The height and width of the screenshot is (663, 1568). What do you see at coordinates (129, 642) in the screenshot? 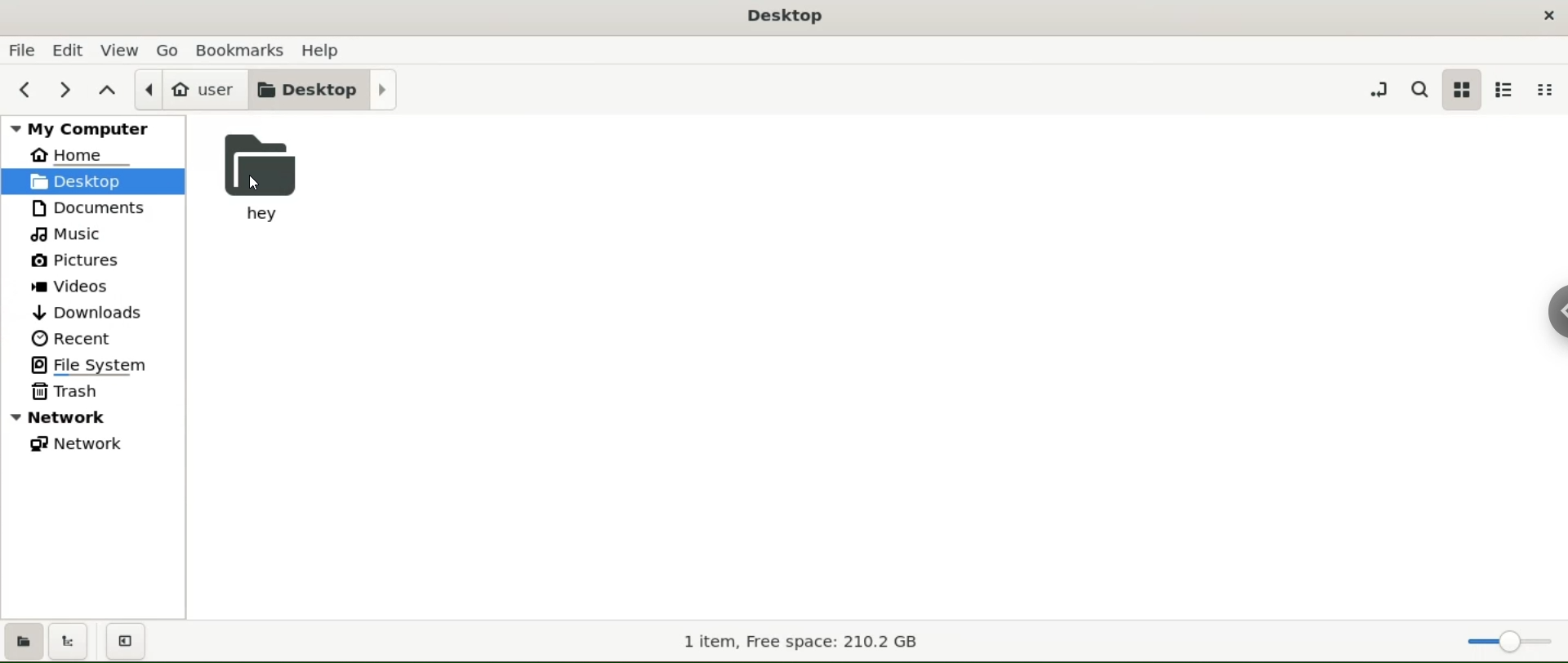
I see `hide the sidebar` at bounding box center [129, 642].